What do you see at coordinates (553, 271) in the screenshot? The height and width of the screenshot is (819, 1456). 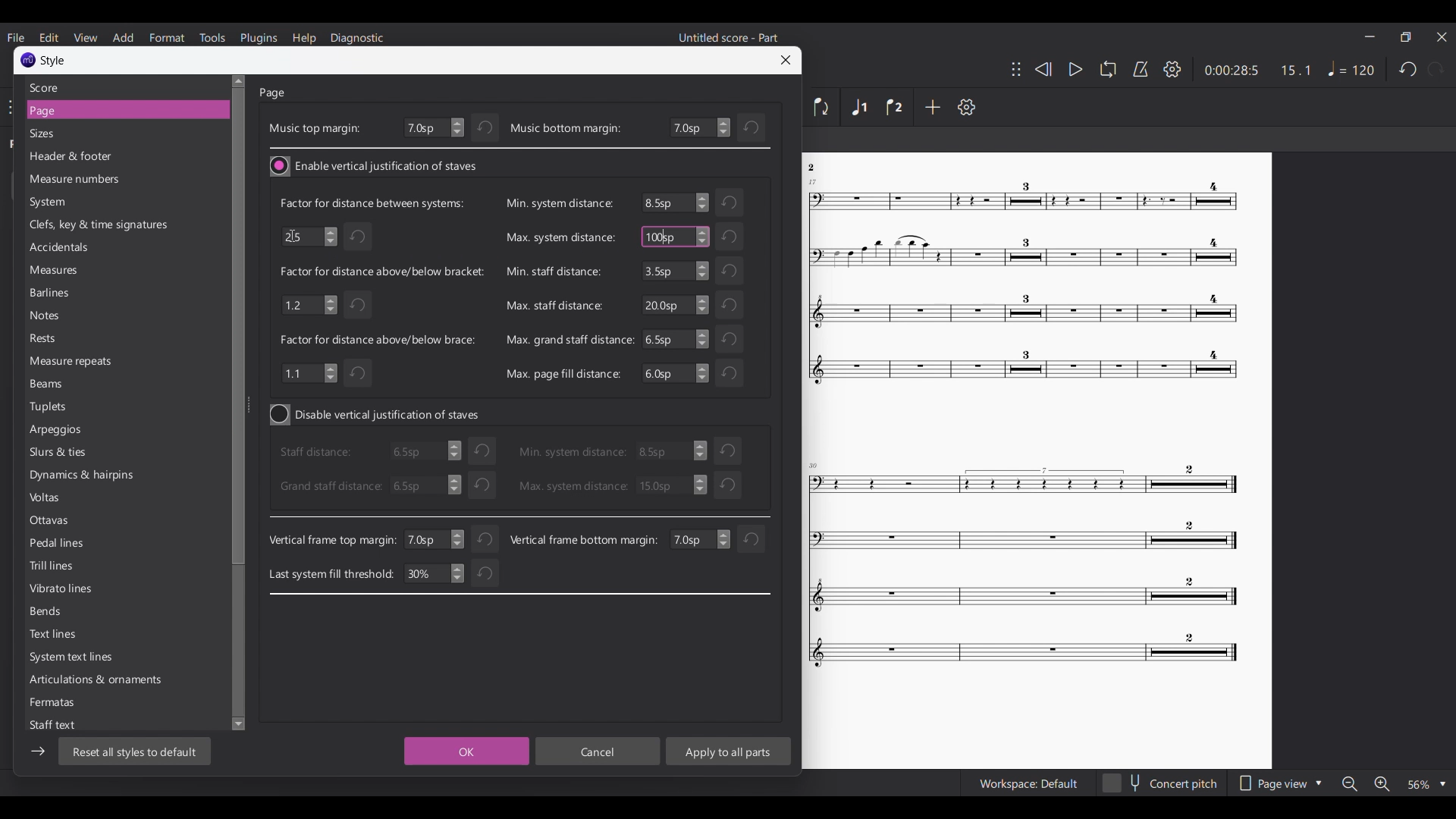 I see `Min. staff distance` at bounding box center [553, 271].